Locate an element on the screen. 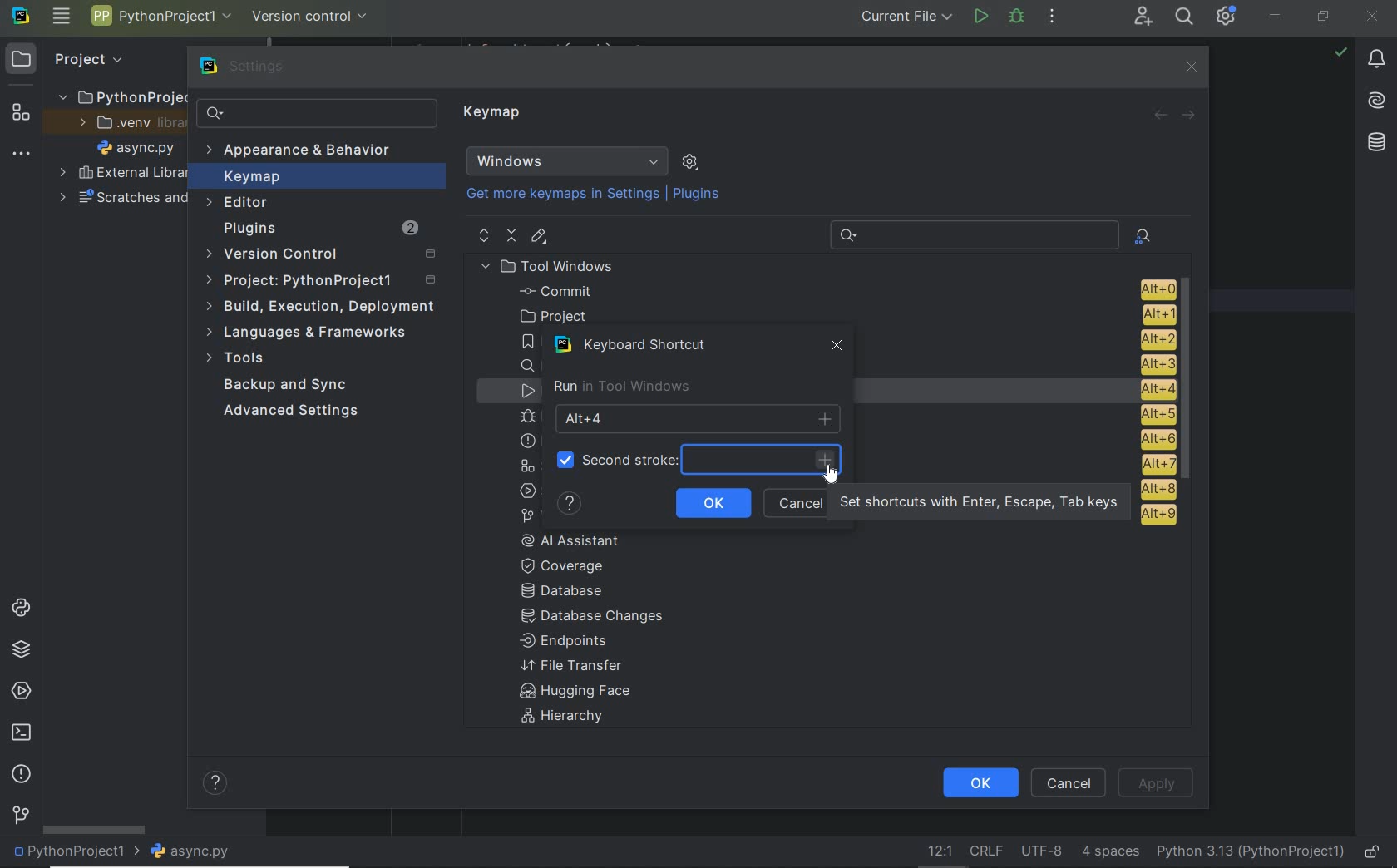  restore down is located at coordinates (1324, 17).